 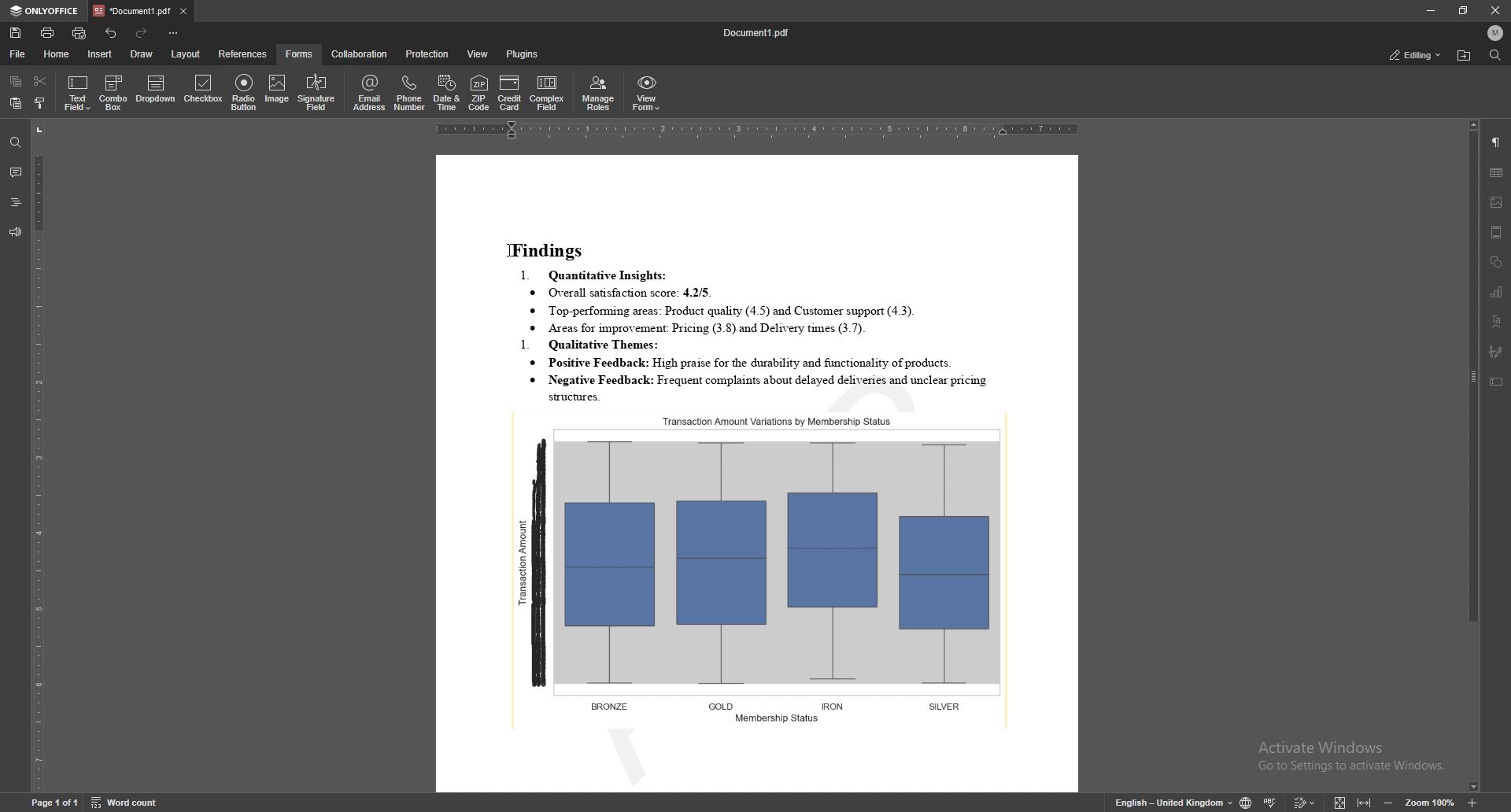 What do you see at coordinates (1475, 803) in the screenshot?
I see `zoom in` at bounding box center [1475, 803].